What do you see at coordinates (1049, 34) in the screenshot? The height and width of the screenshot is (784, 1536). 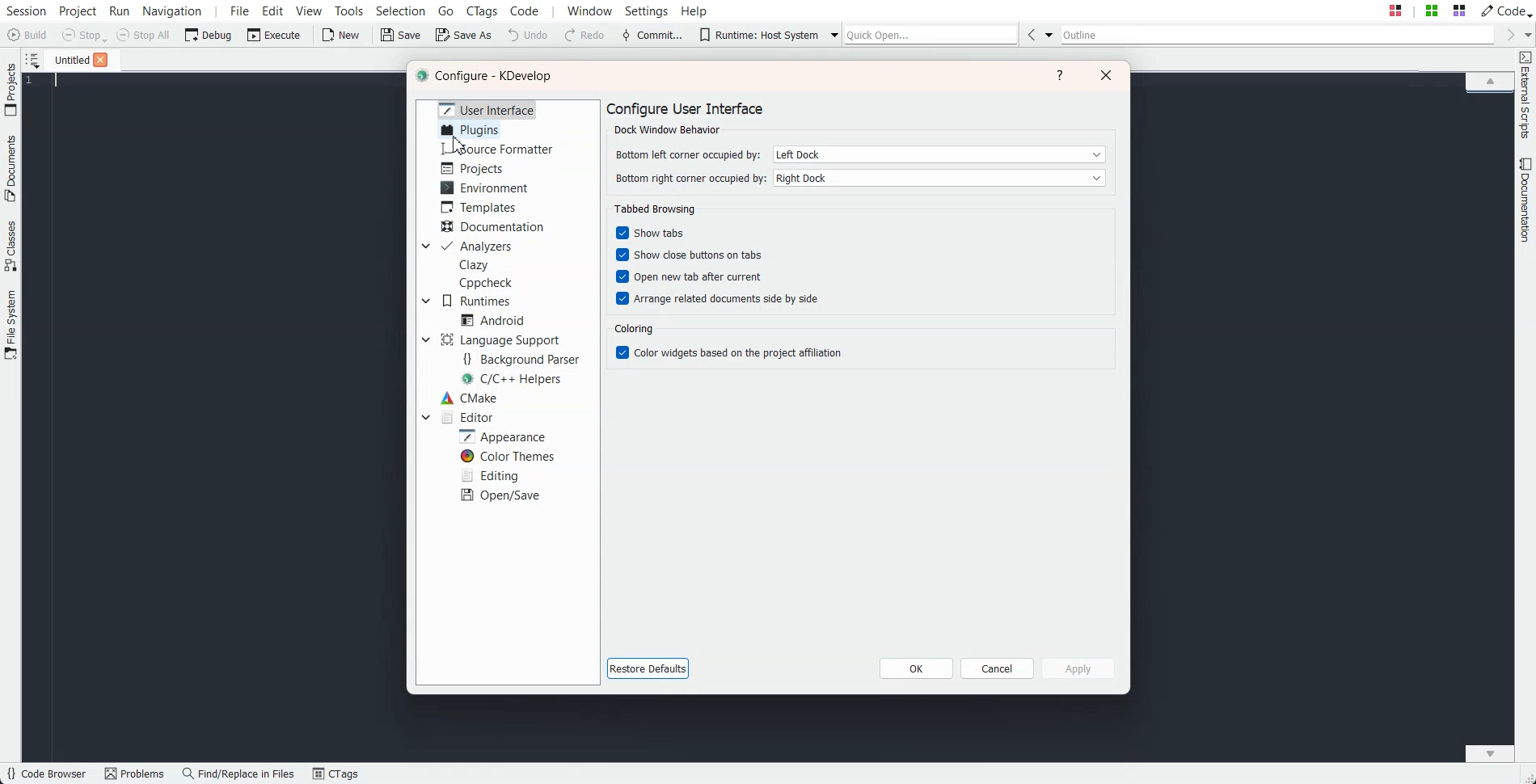 I see `Drop Down box` at bounding box center [1049, 34].